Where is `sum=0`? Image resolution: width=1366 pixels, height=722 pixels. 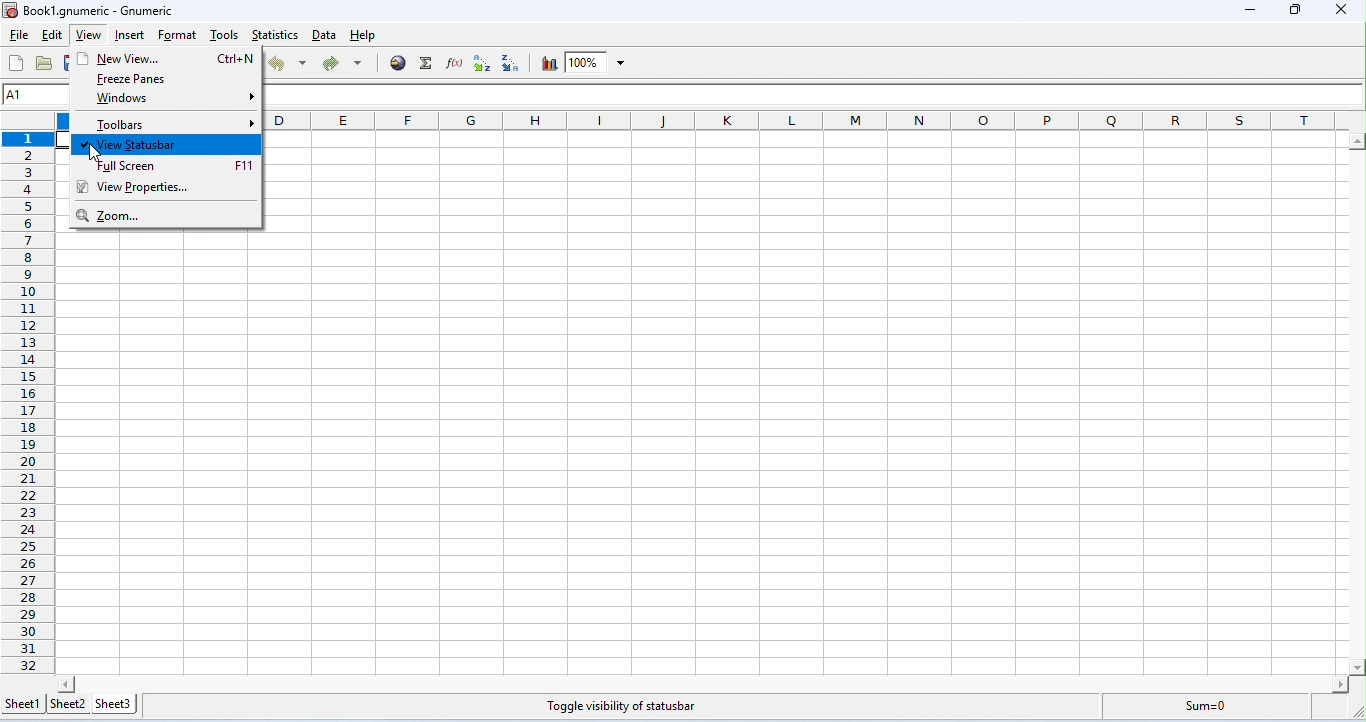
sum=0 is located at coordinates (1209, 708).